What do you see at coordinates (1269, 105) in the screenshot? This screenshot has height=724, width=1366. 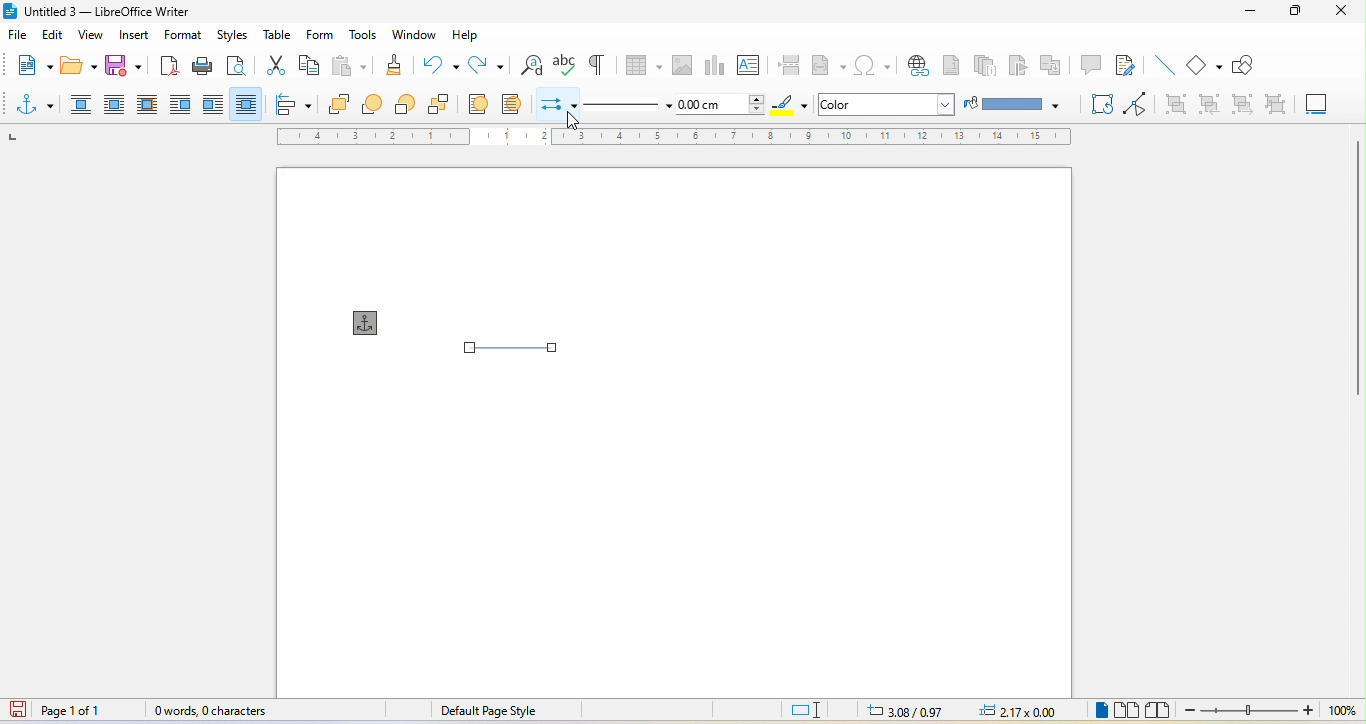 I see `ungroup` at bounding box center [1269, 105].